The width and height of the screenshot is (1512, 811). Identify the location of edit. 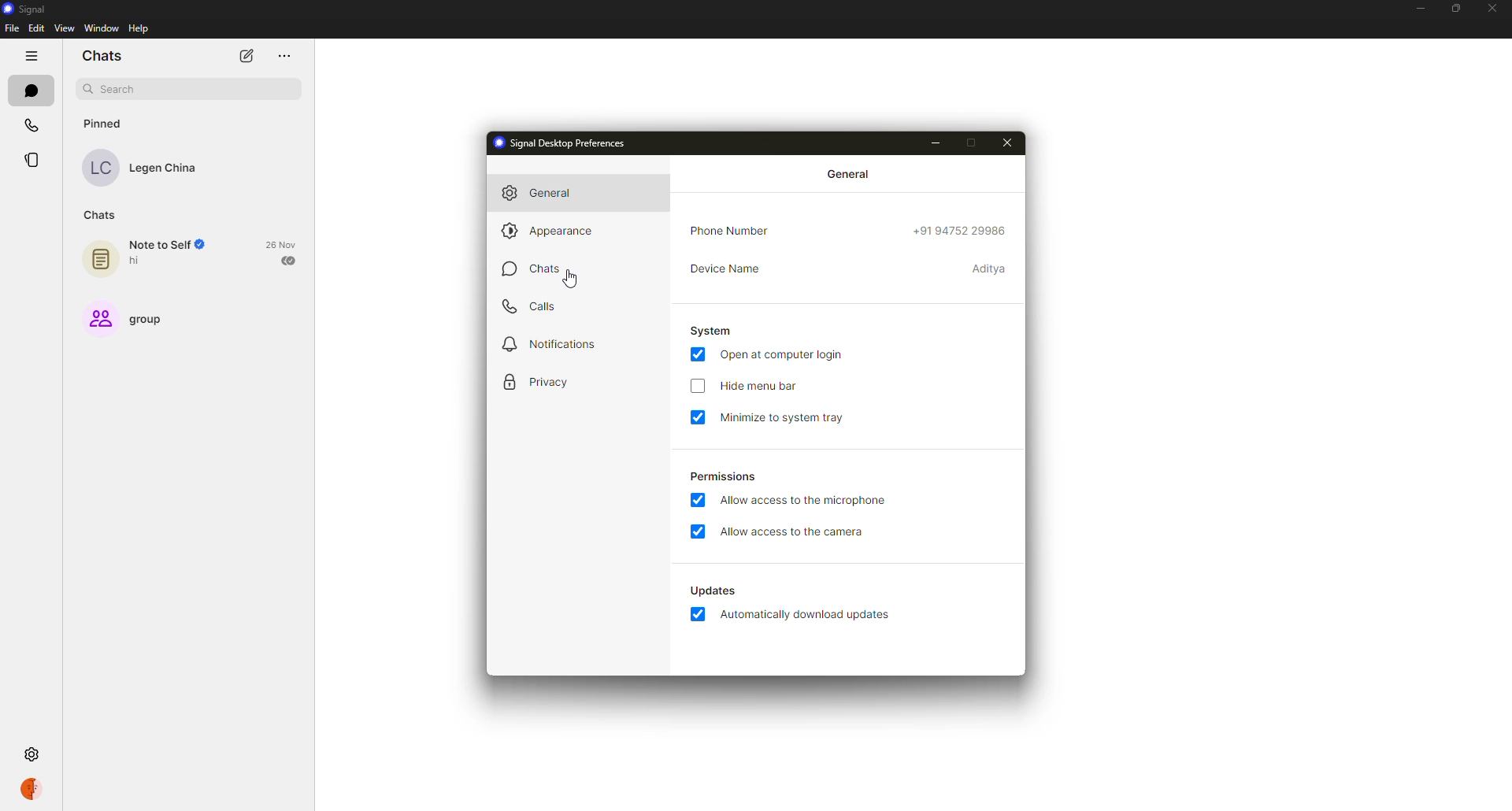
(36, 27).